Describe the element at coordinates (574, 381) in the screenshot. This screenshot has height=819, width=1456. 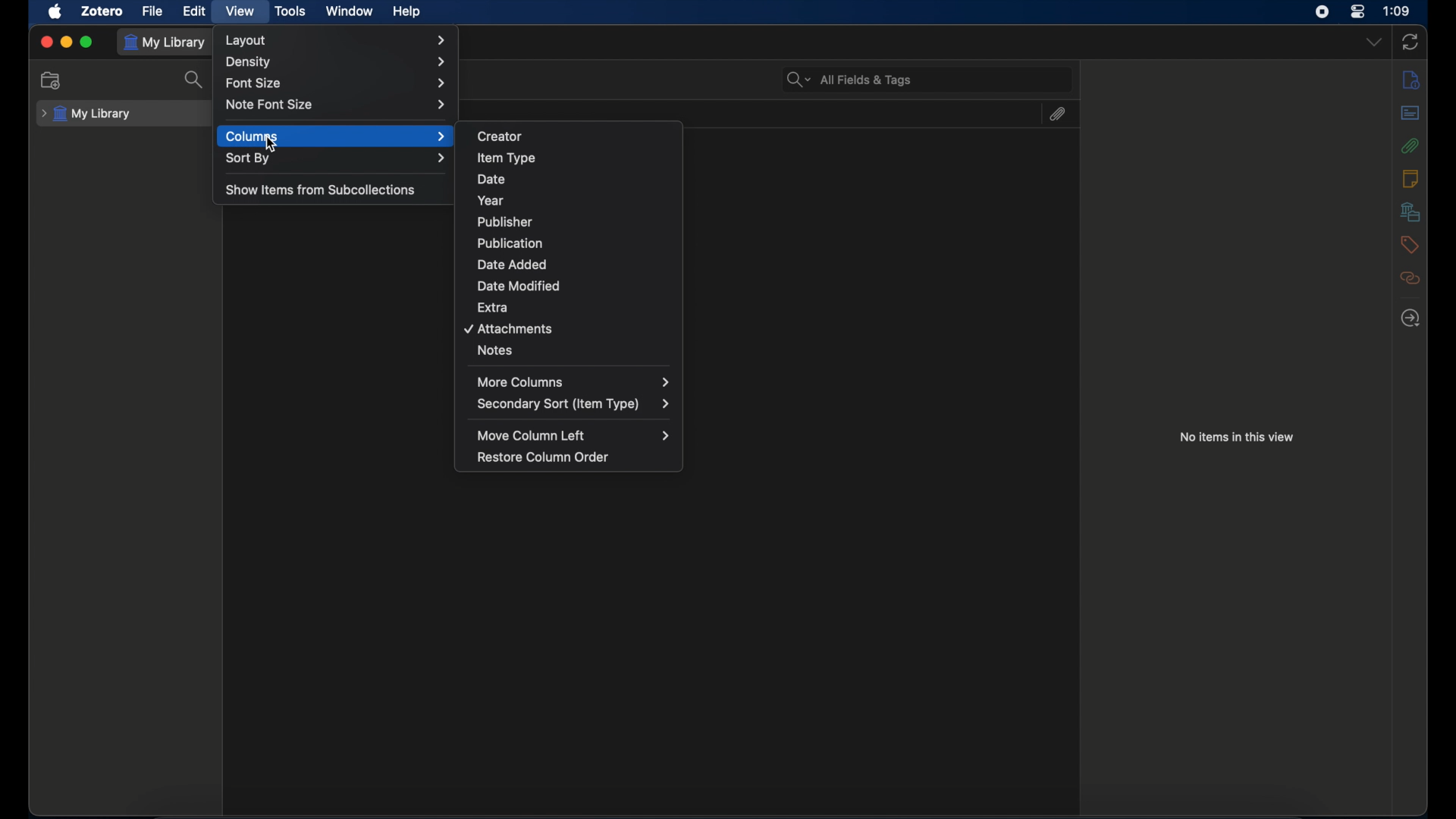
I see `more columns` at that location.